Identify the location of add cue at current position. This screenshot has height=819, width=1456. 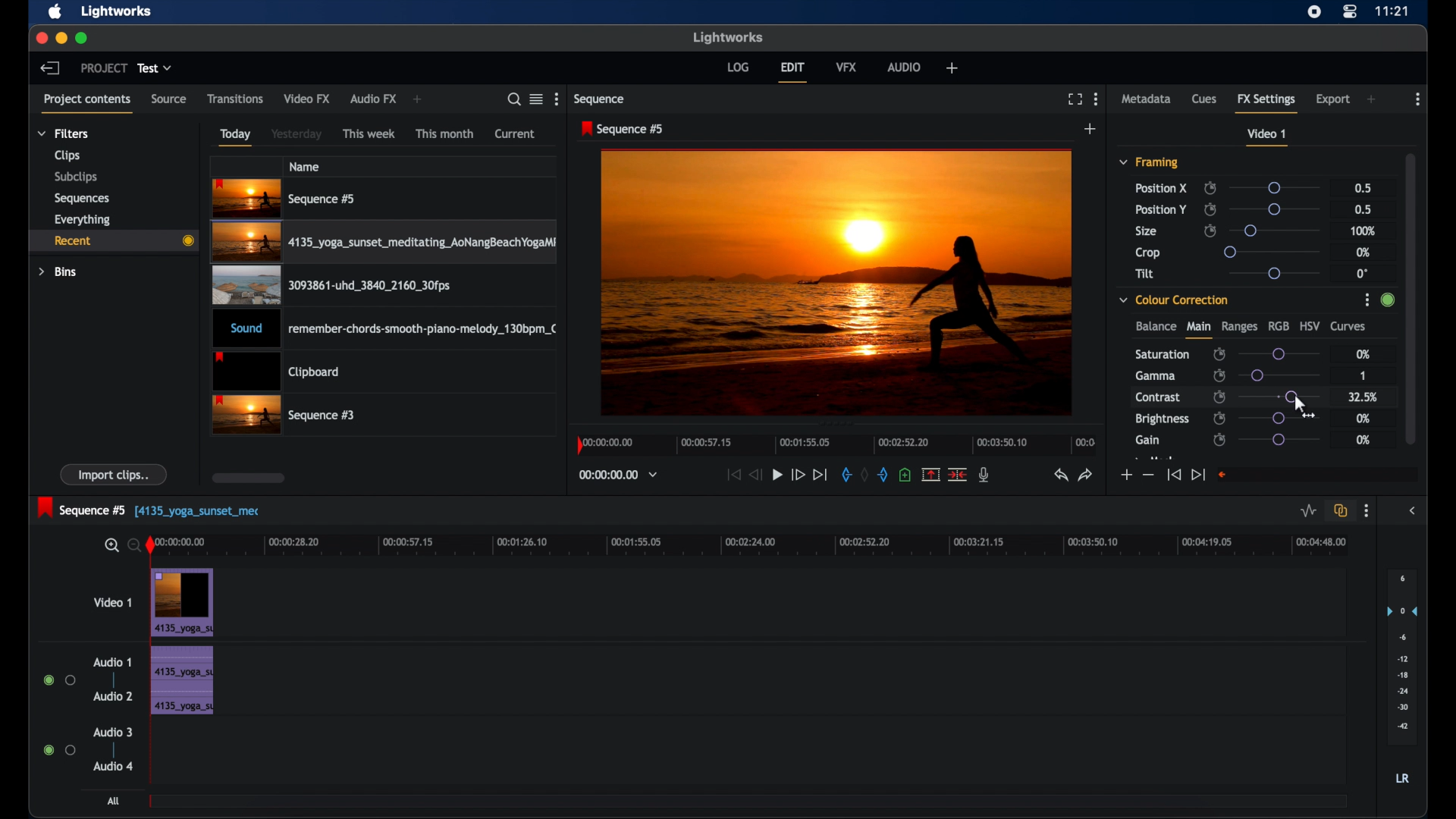
(905, 475).